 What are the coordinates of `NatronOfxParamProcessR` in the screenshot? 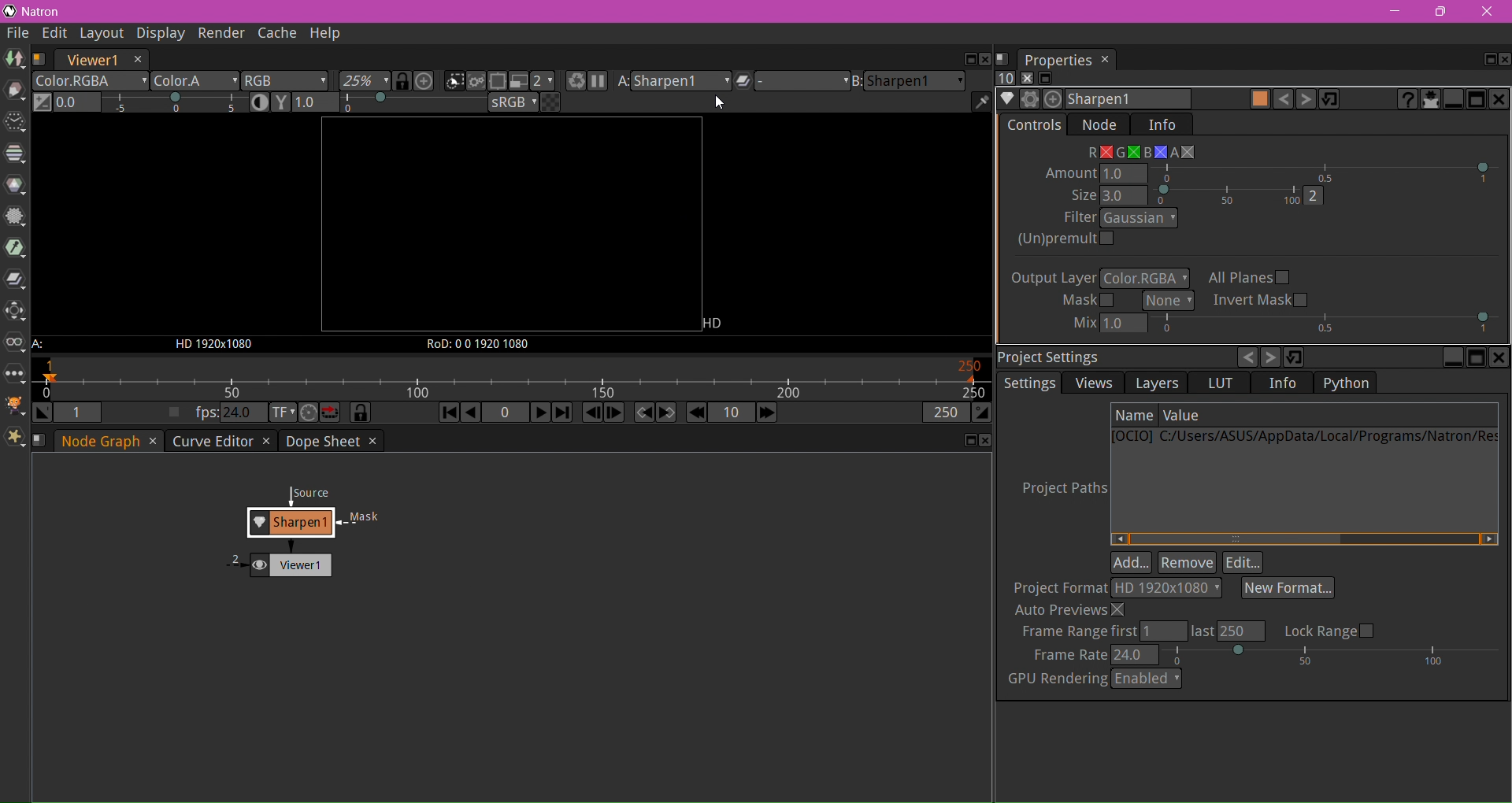 It's located at (1094, 153).